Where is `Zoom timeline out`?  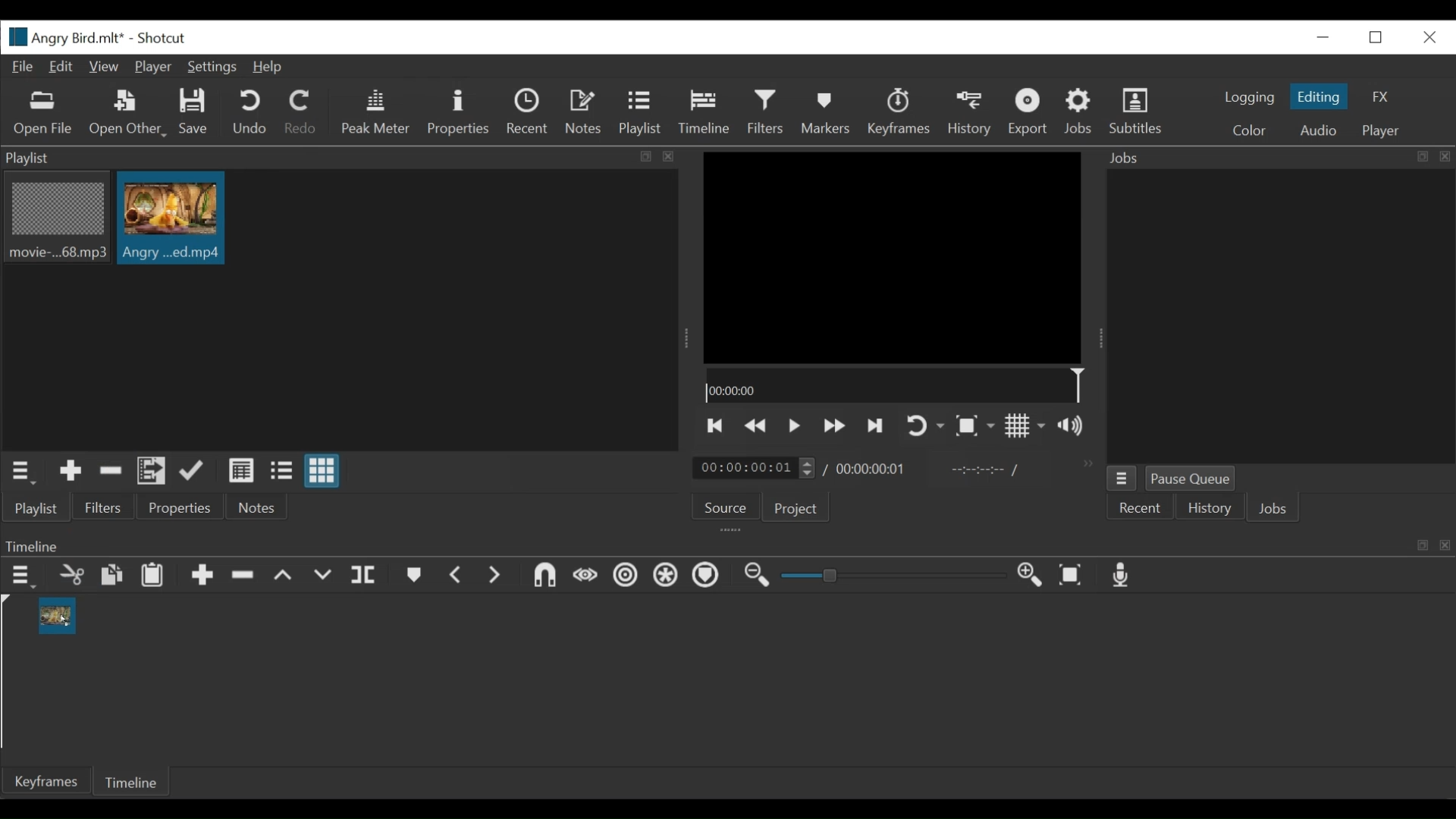 Zoom timeline out is located at coordinates (756, 576).